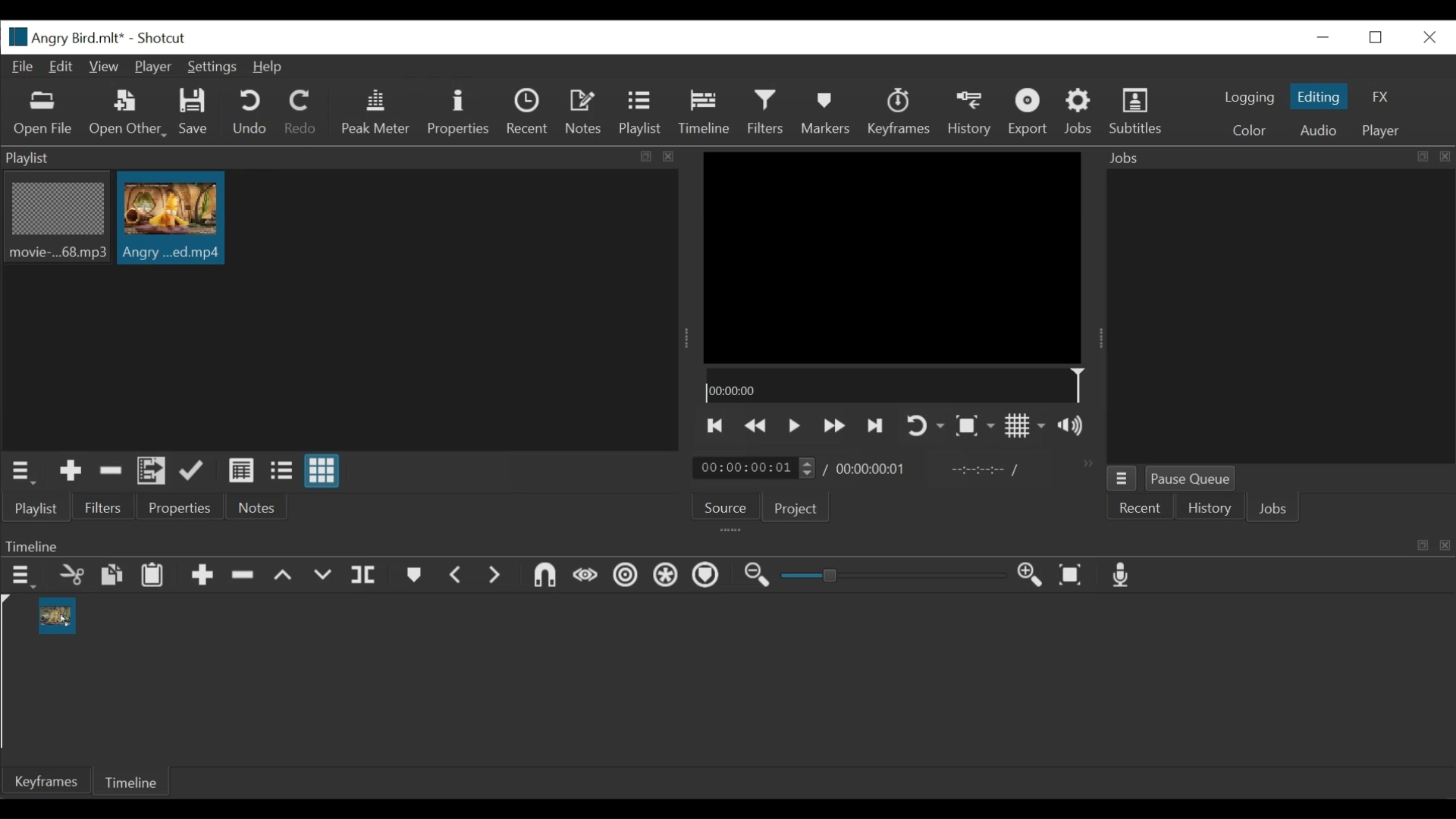  Describe the element at coordinates (415, 576) in the screenshot. I see `Markers` at that location.